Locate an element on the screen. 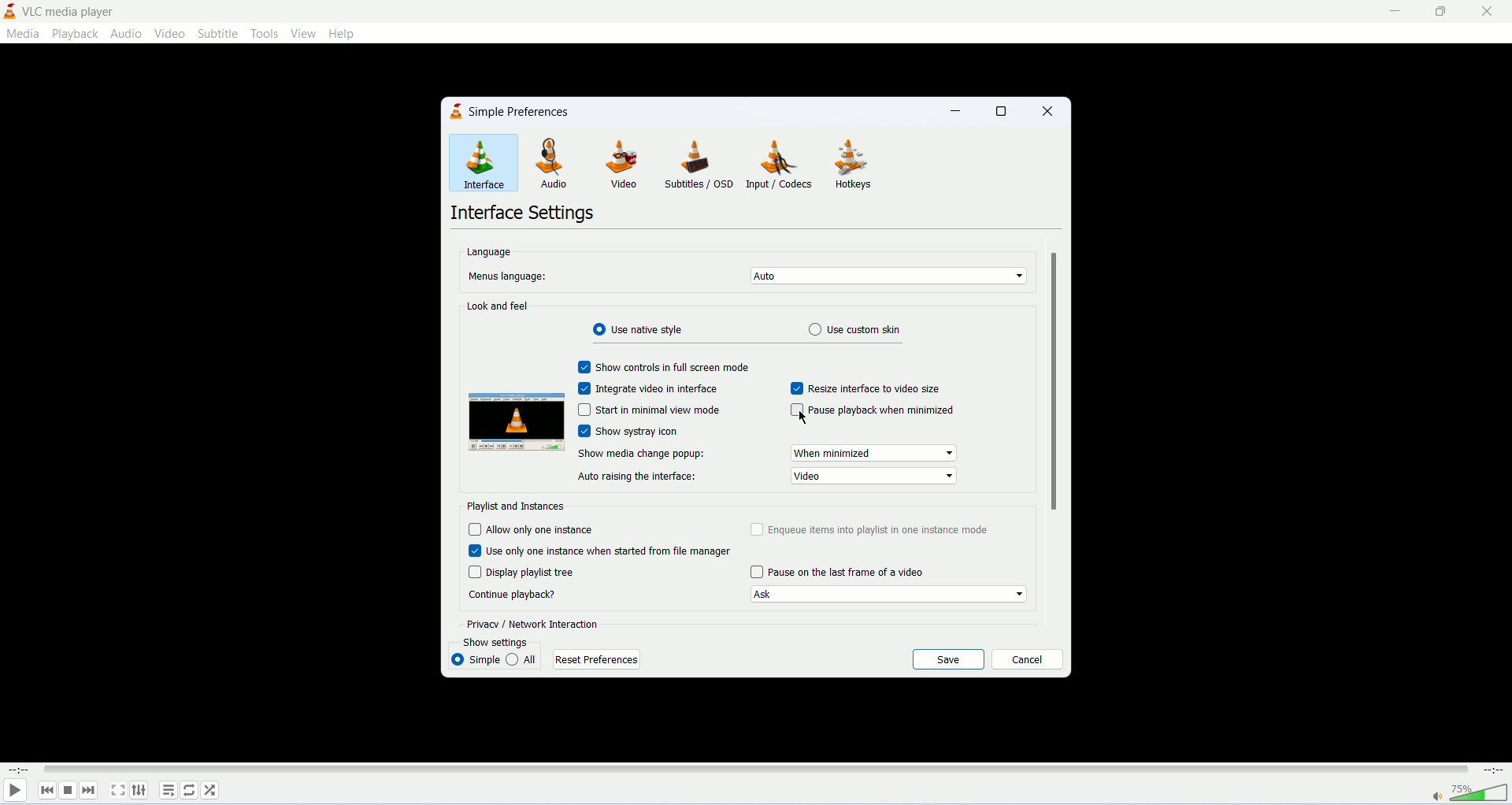  loop is located at coordinates (191, 792).